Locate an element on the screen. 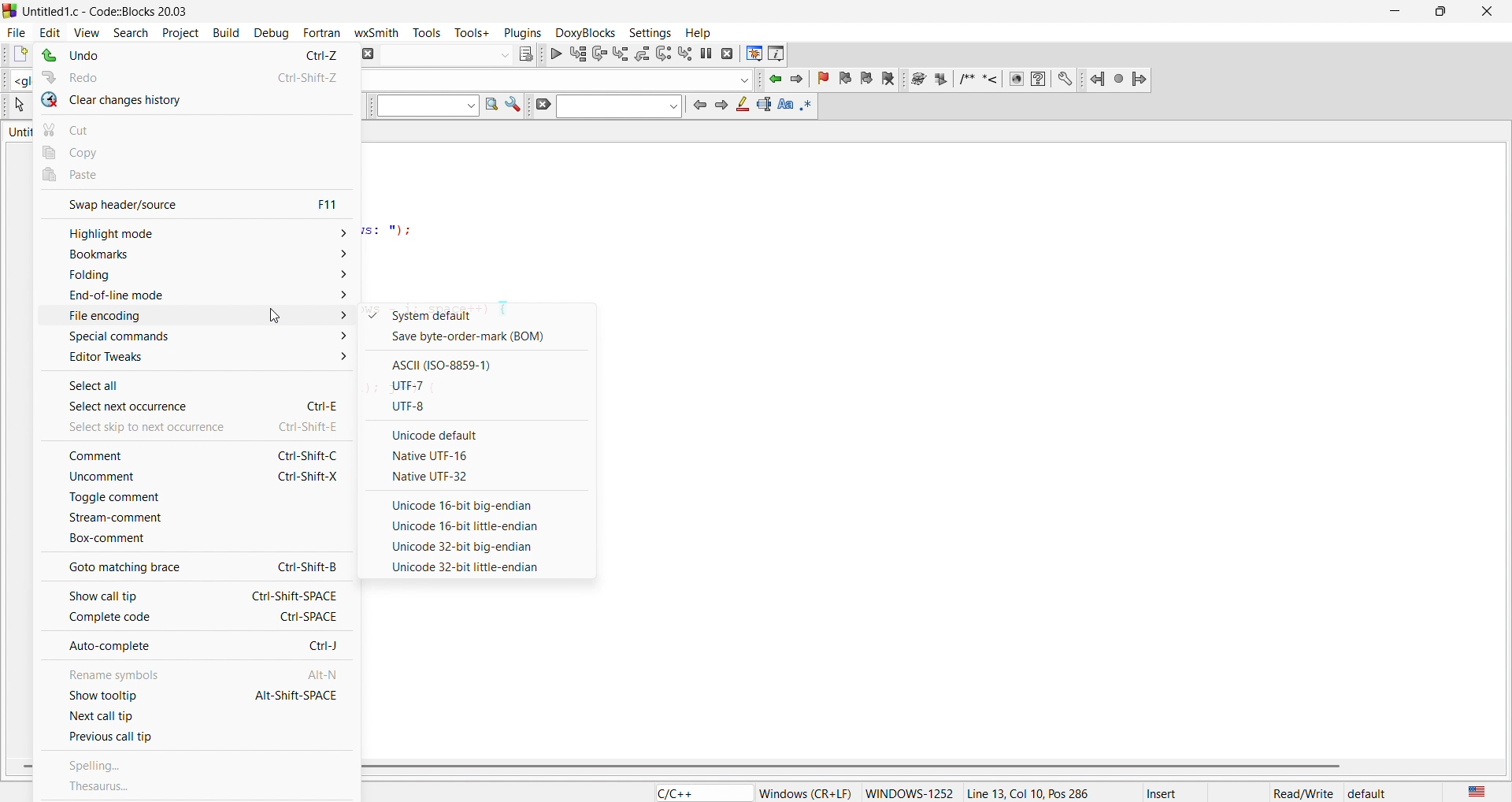 This screenshot has height=802, width=1512. wxsmith is located at coordinates (376, 33).